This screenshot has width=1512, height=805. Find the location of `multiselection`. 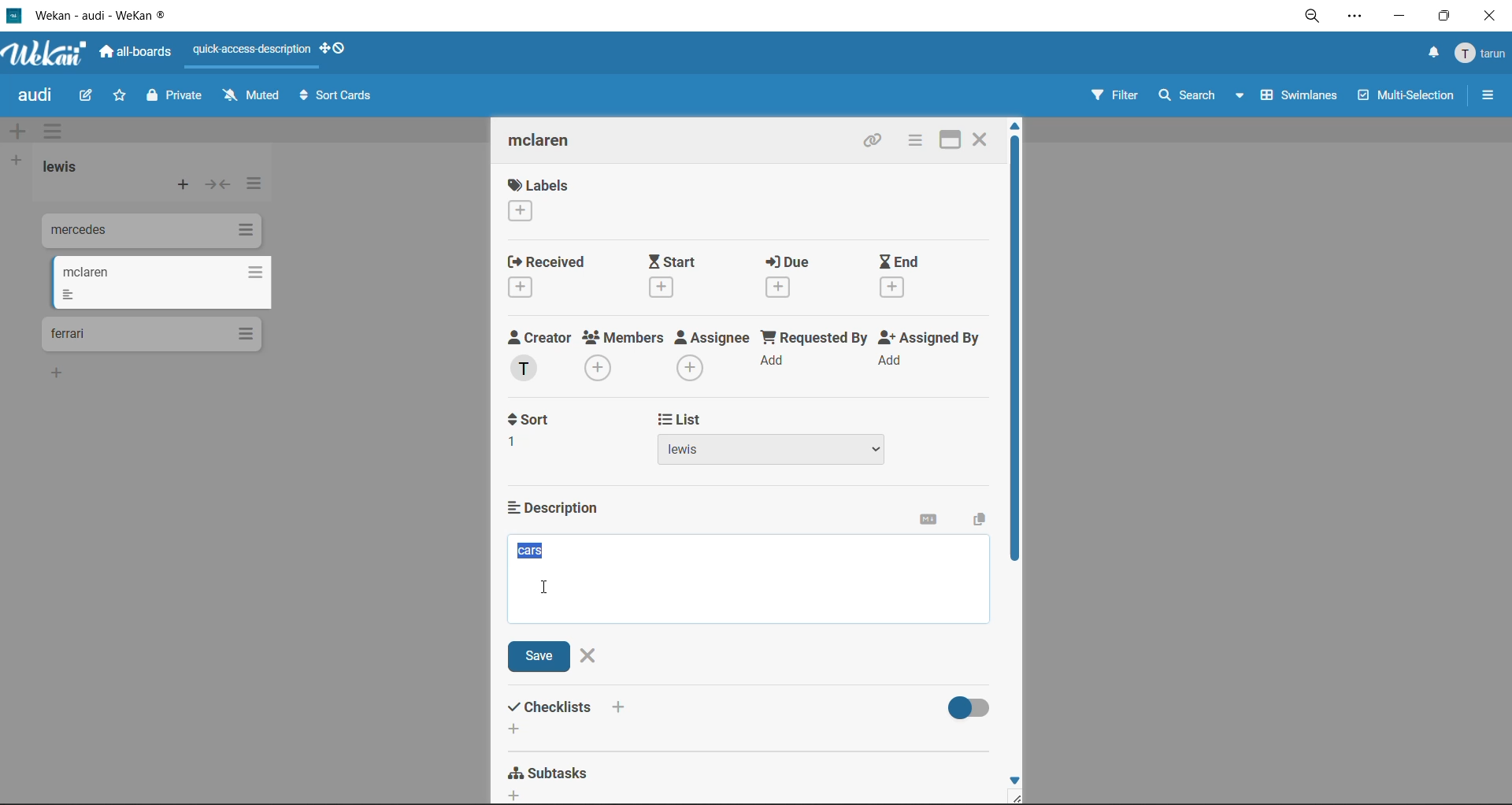

multiselection is located at coordinates (1403, 97).